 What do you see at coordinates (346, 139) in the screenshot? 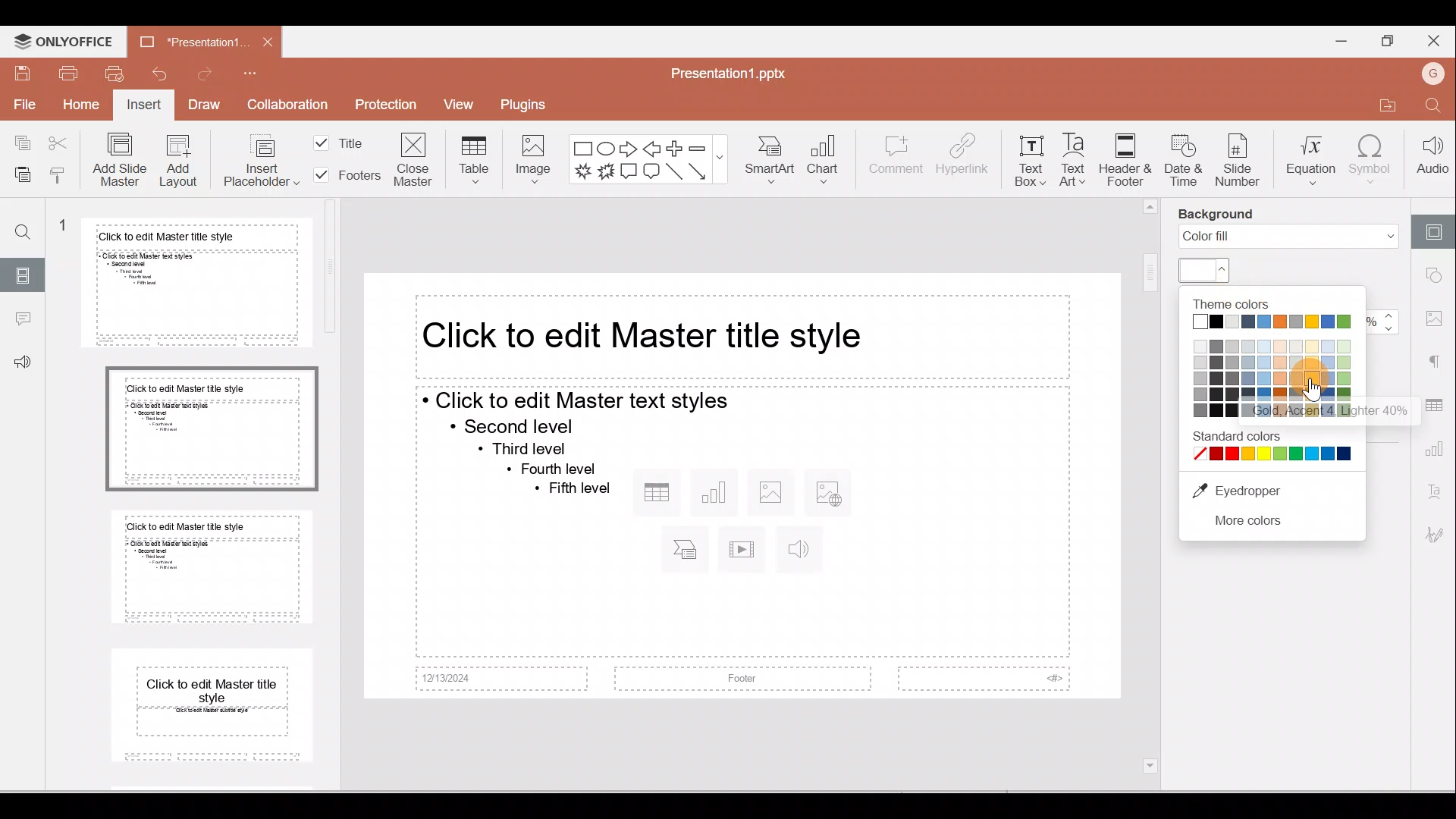
I see `Title` at bounding box center [346, 139].